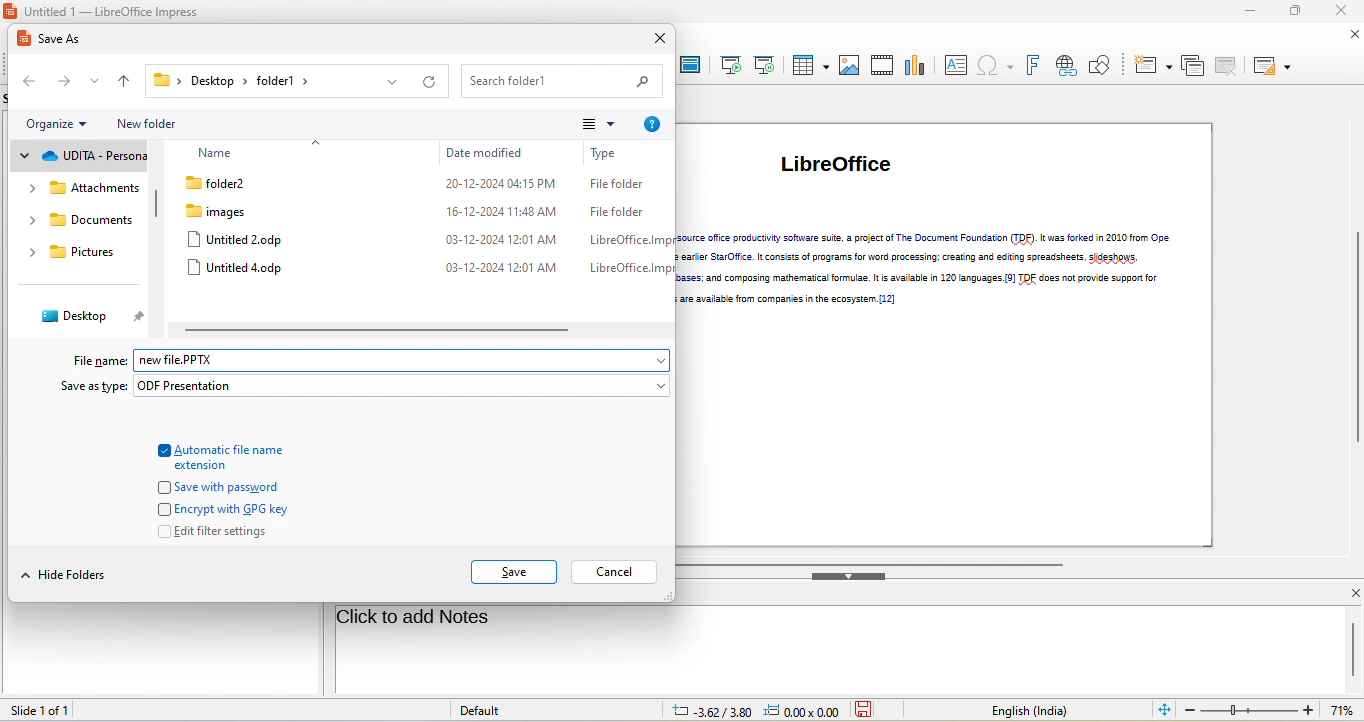 This screenshot has height=722, width=1364. What do you see at coordinates (850, 576) in the screenshot?
I see `hide bottom sidebar` at bounding box center [850, 576].